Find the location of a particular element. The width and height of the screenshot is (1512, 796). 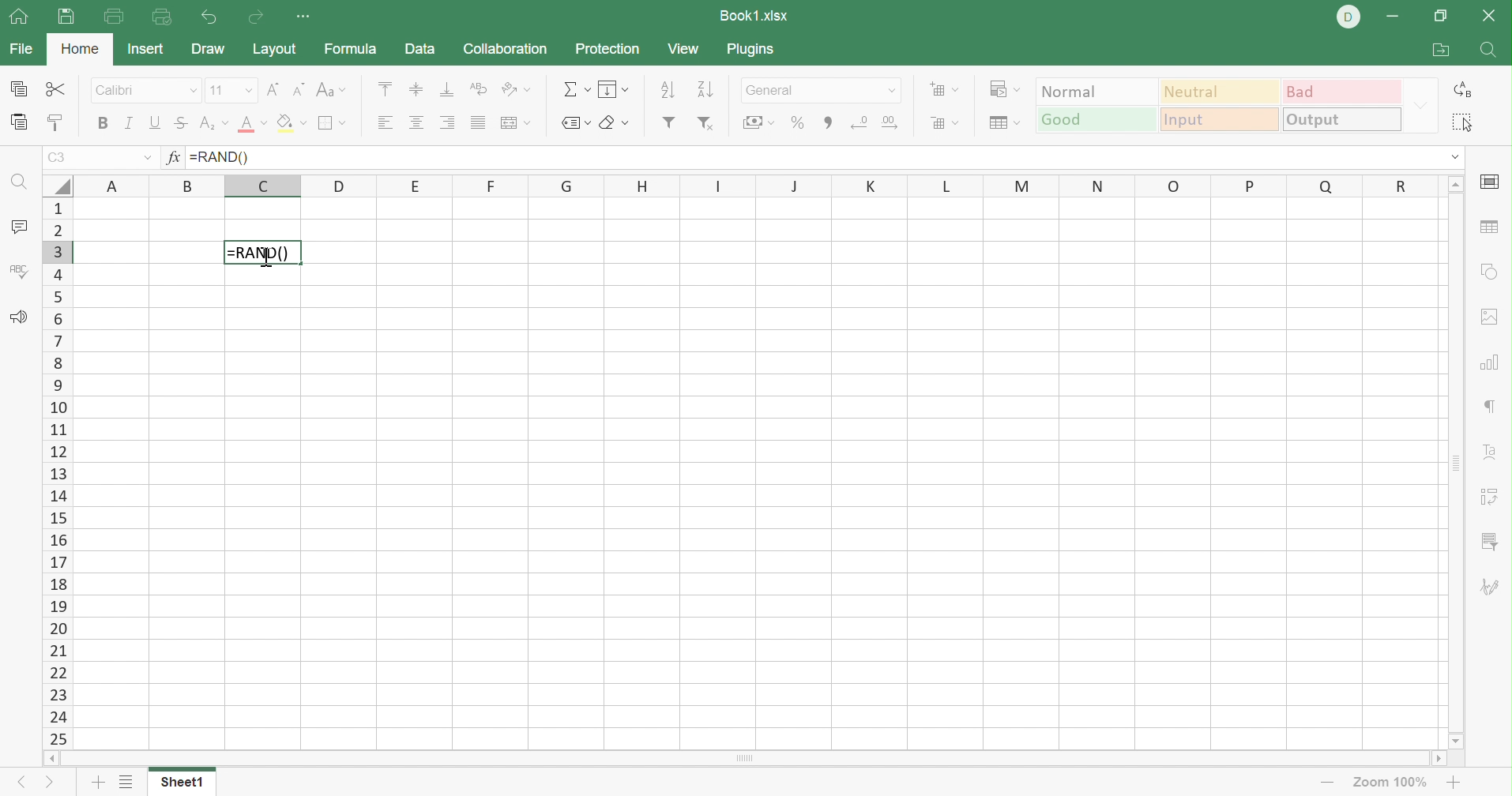

Customize Quick Access Toolbar is located at coordinates (303, 17).